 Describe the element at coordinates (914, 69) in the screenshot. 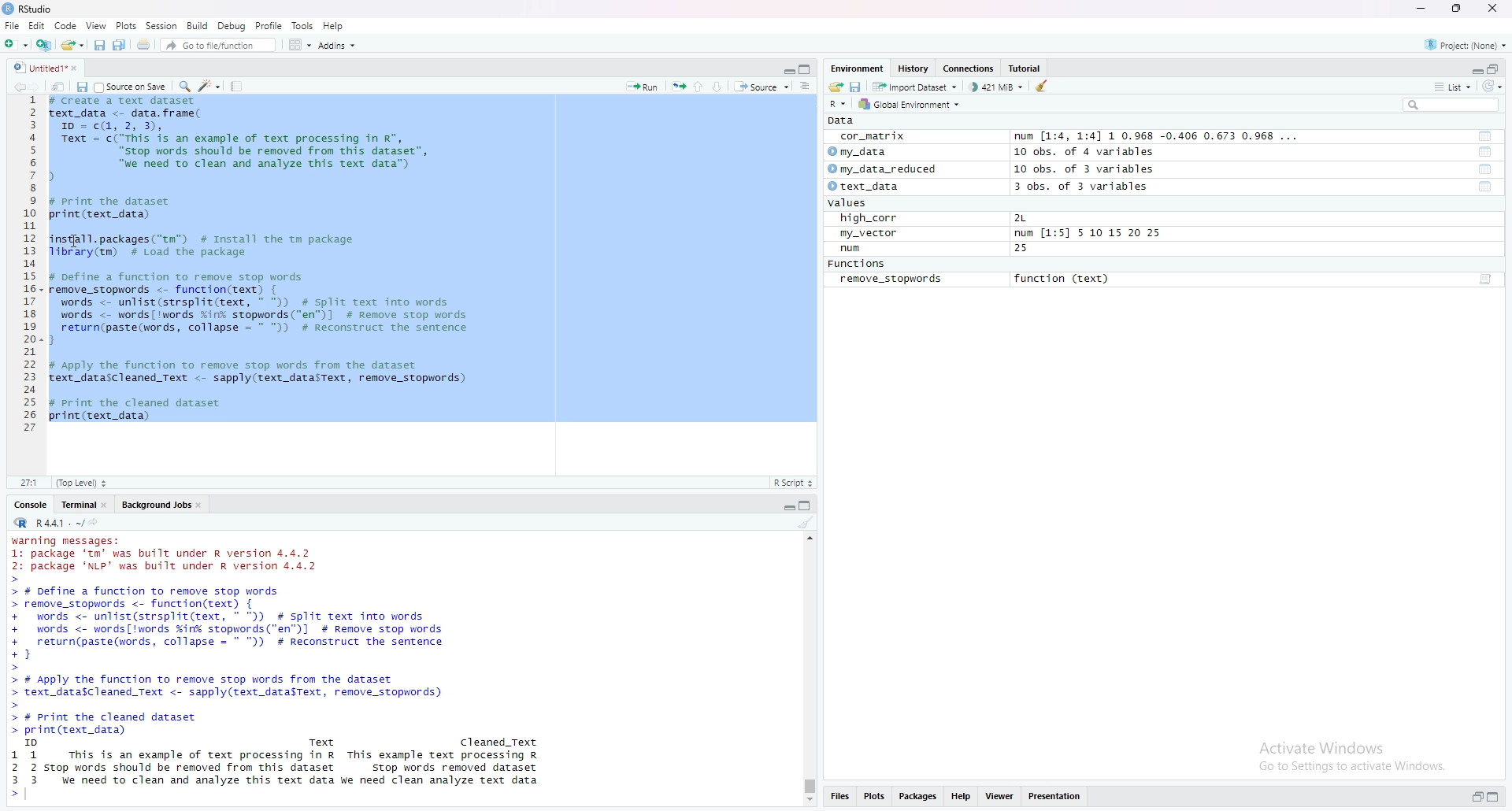

I see `history` at that location.